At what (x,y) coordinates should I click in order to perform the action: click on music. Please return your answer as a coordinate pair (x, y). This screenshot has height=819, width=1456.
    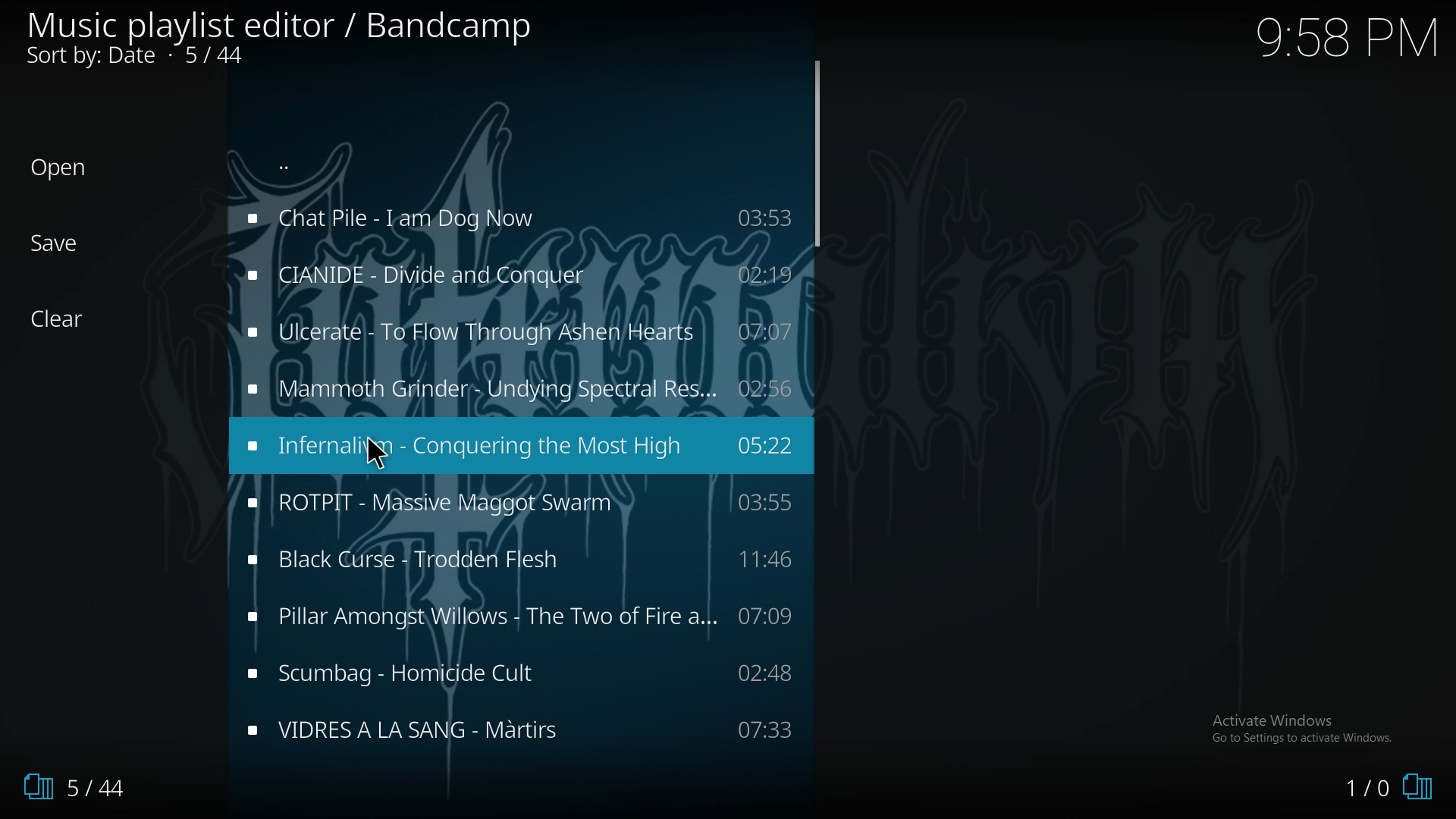
    Looking at the image, I should click on (516, 275).